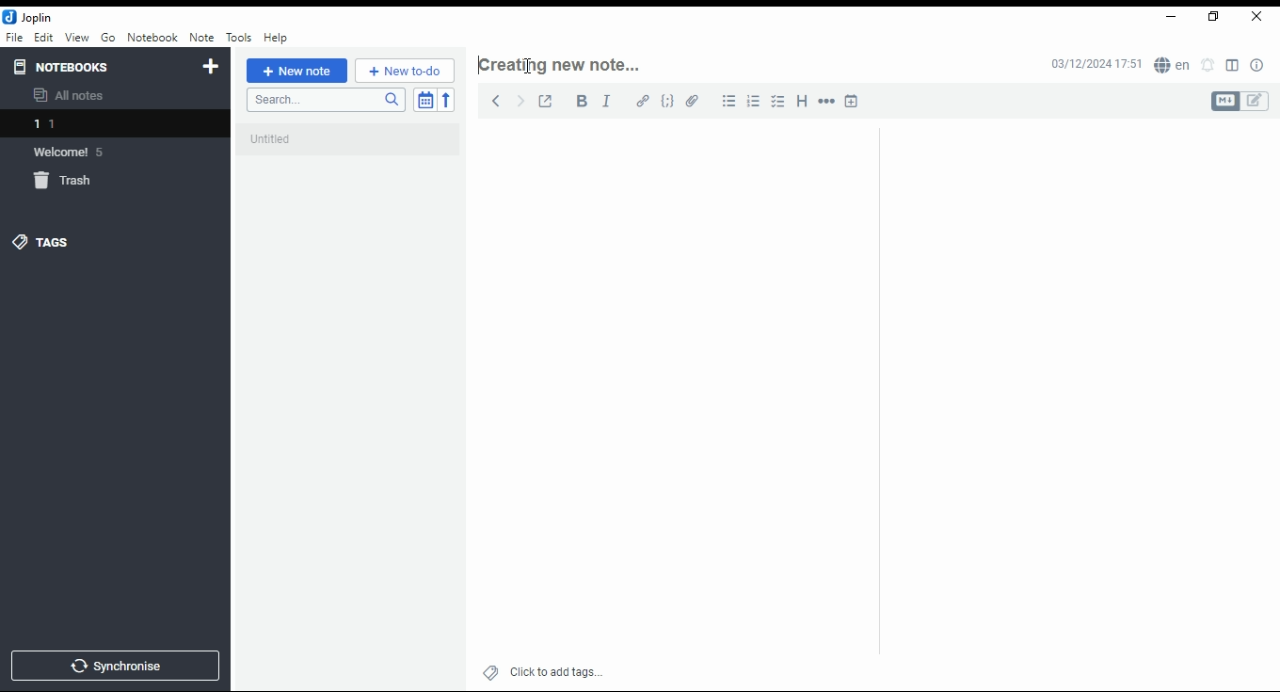 The image size is (1280, 692). Describe the element at coordinates (79, 152) in the screenshot. I see `welcome 5` at that location.